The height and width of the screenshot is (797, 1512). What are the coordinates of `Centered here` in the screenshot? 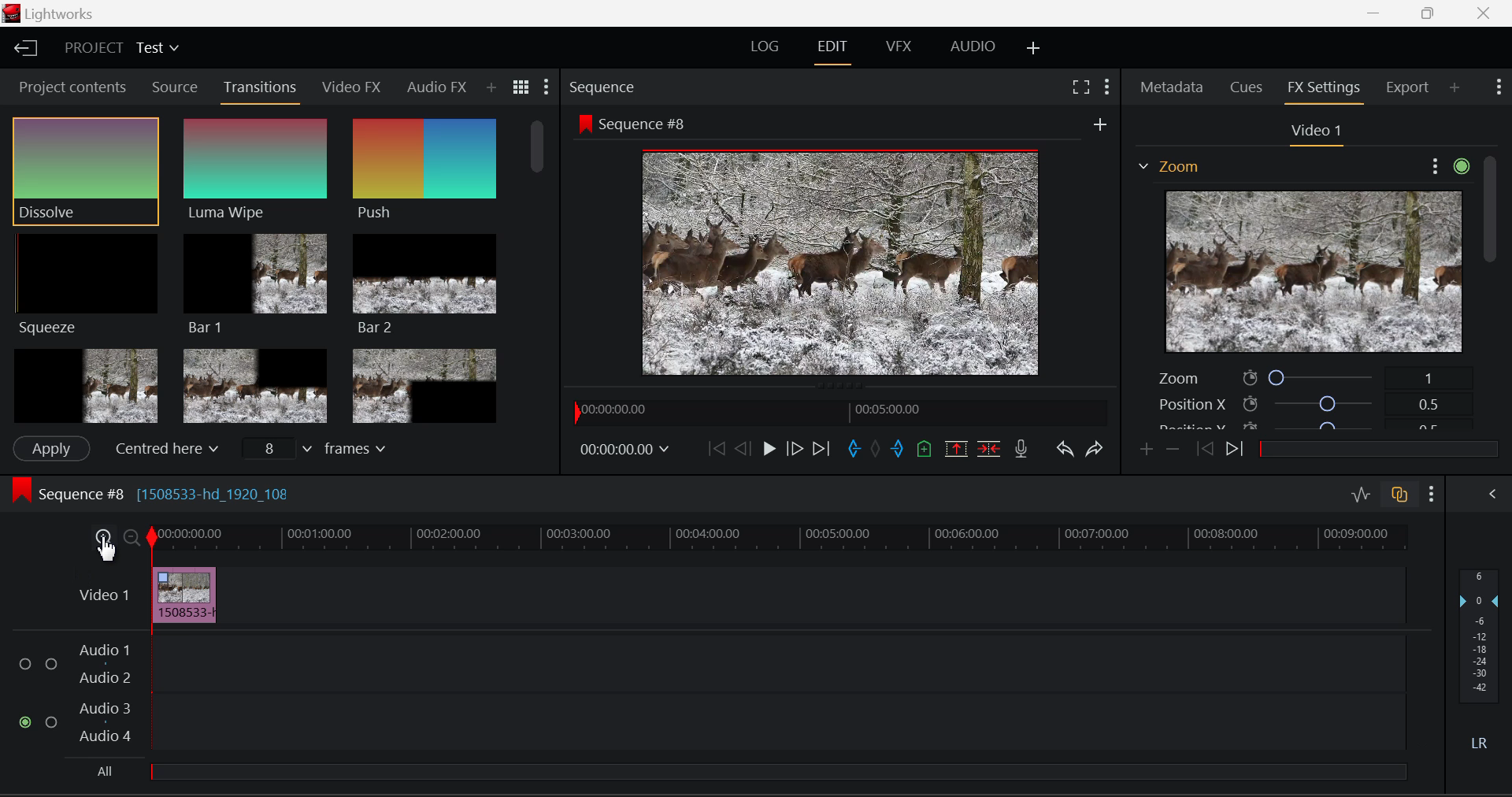 It's located at (170, 445).